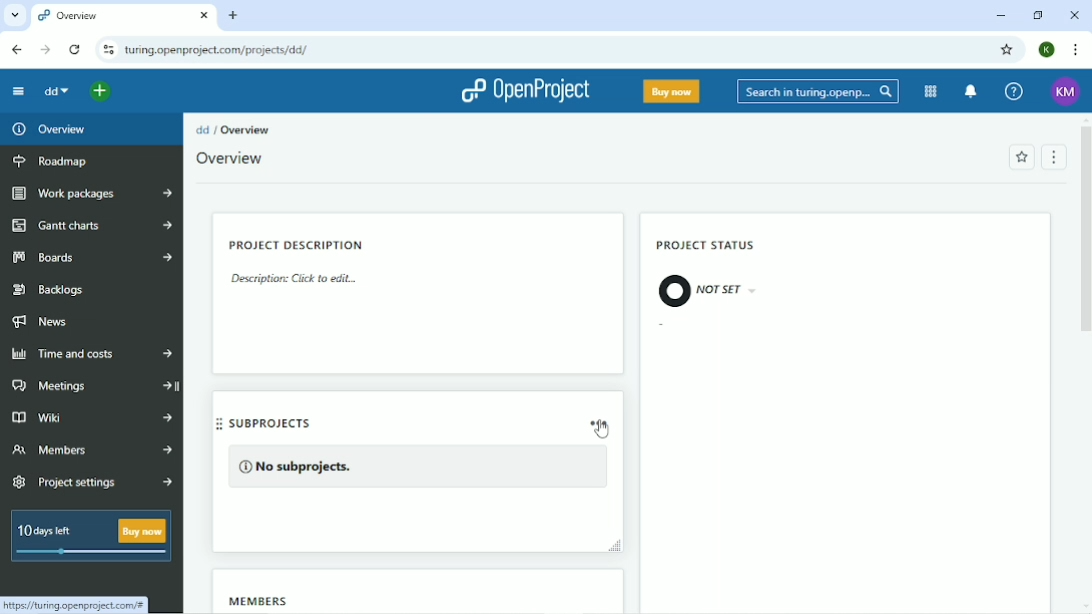 The width and height of the screenshot is (1092, 614). What do you see at coordinates (74, 604) in the screenshot?
I see `Link` at bounding box center [74, 604].